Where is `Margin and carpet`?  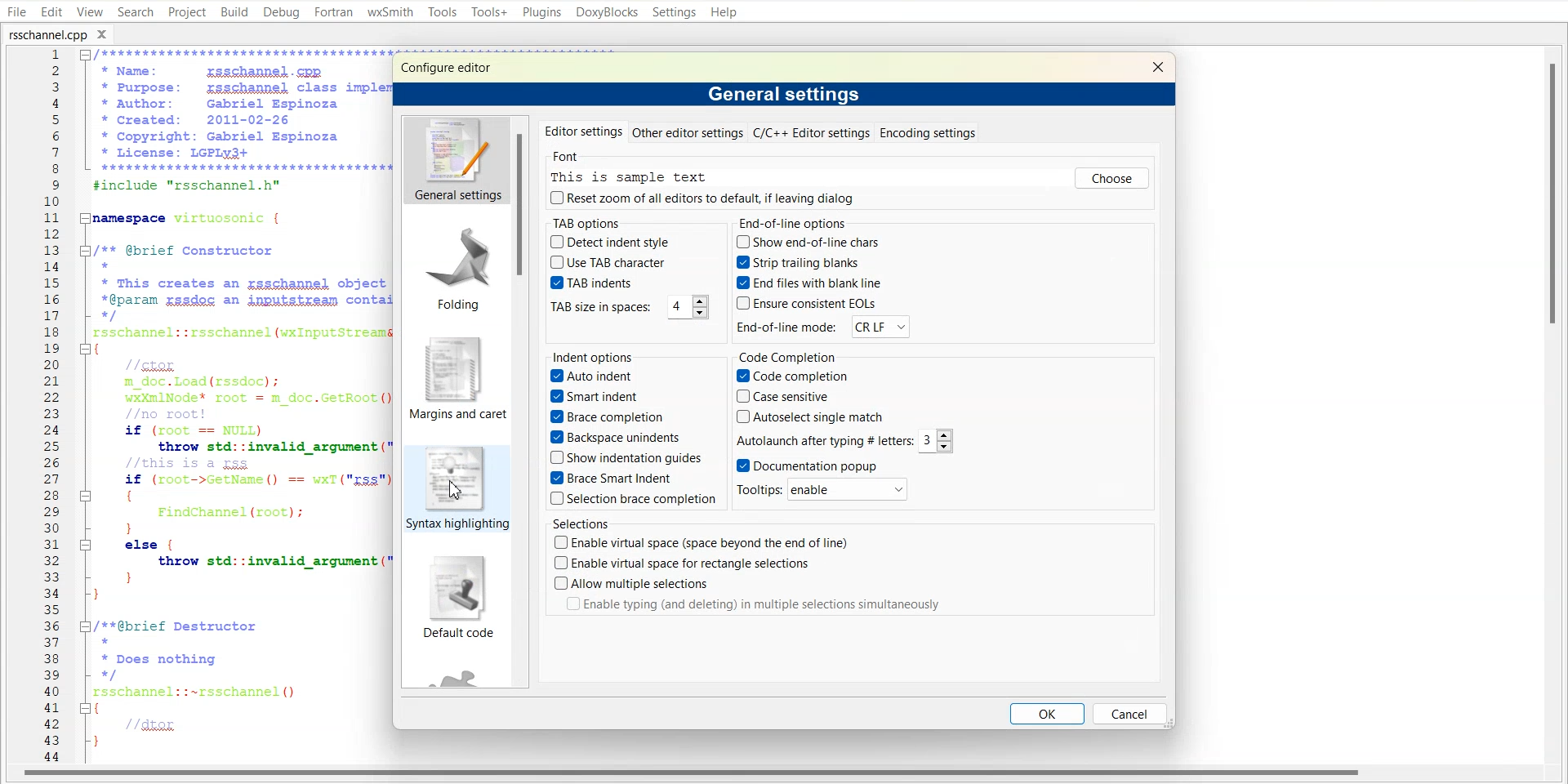
Margin and carpet is located at coordinates (452, 378).